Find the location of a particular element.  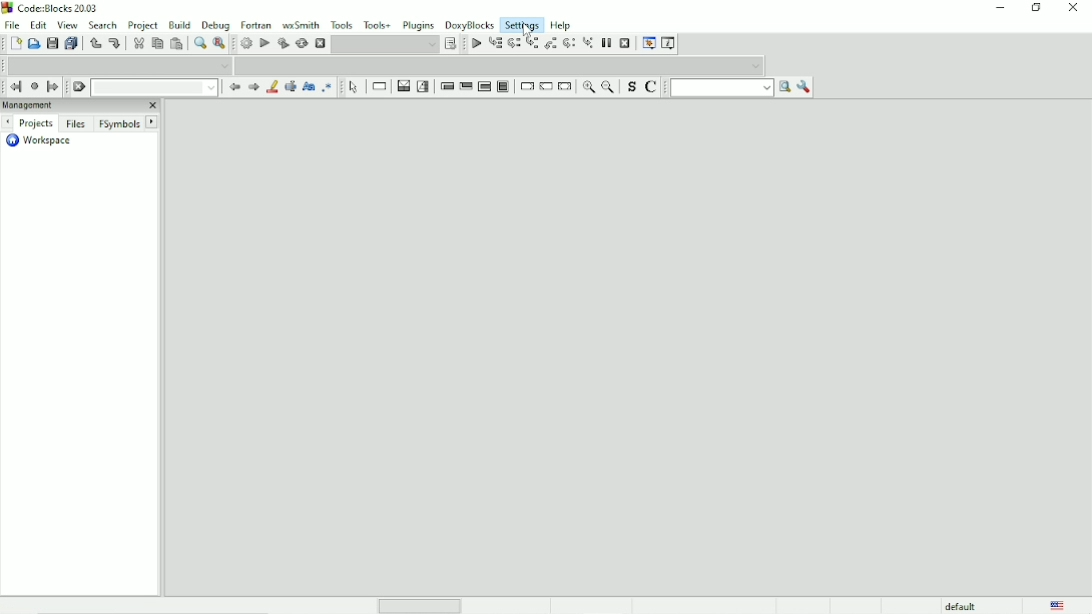

wxSmith is located at coordinates (299, 24).